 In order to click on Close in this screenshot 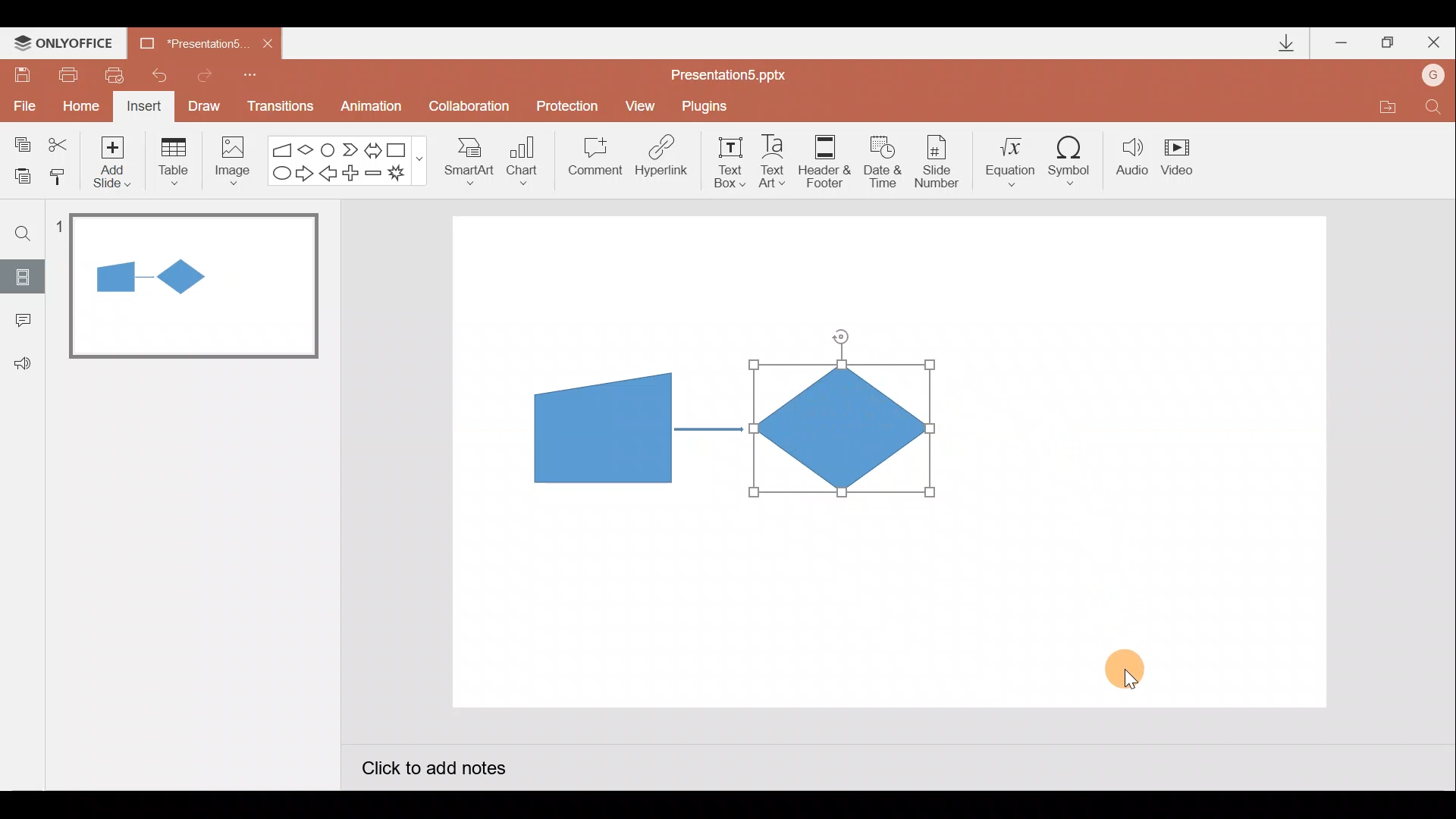, I will do `click(268, 44)`.